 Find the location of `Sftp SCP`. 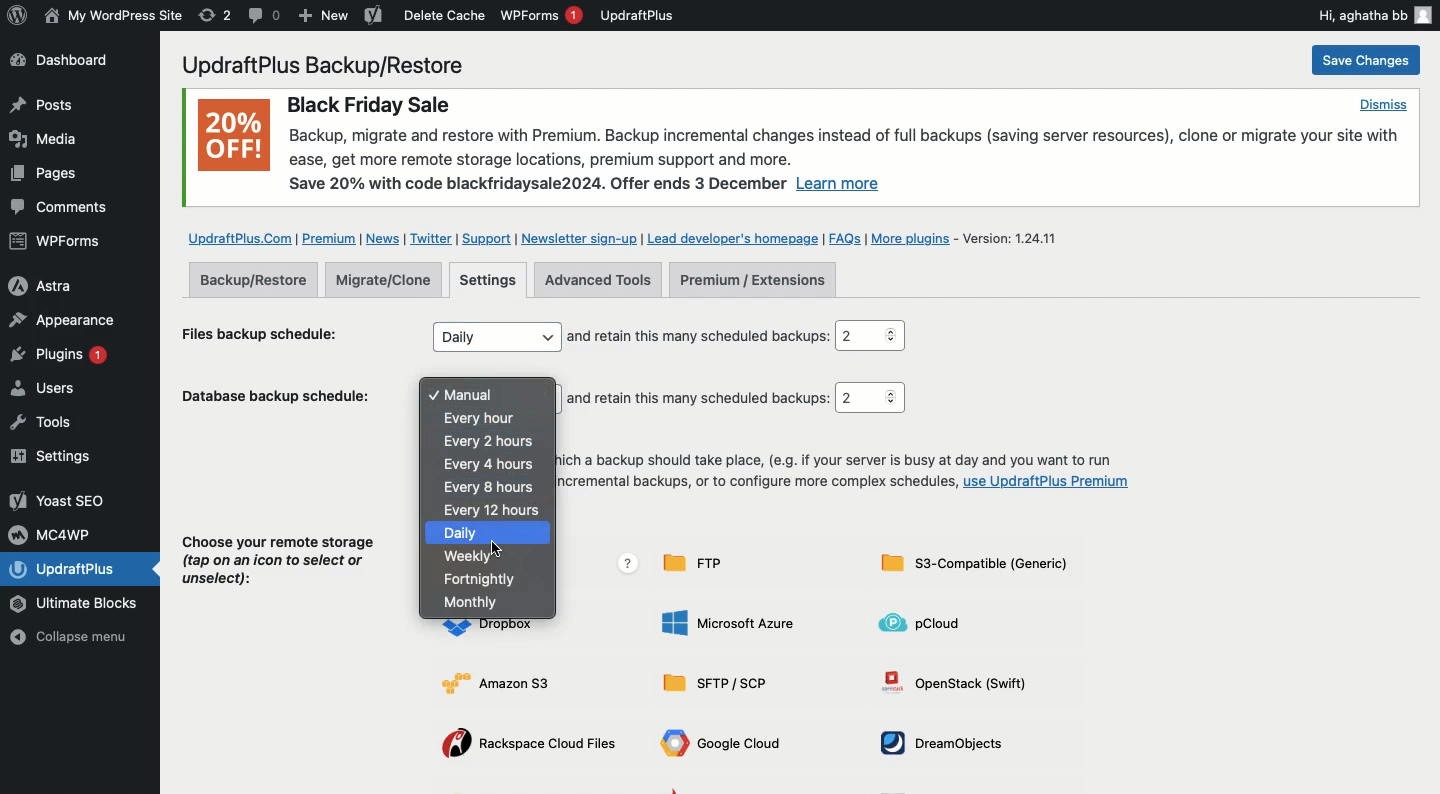

Sftp SCP is located at coordinates (722, 684).